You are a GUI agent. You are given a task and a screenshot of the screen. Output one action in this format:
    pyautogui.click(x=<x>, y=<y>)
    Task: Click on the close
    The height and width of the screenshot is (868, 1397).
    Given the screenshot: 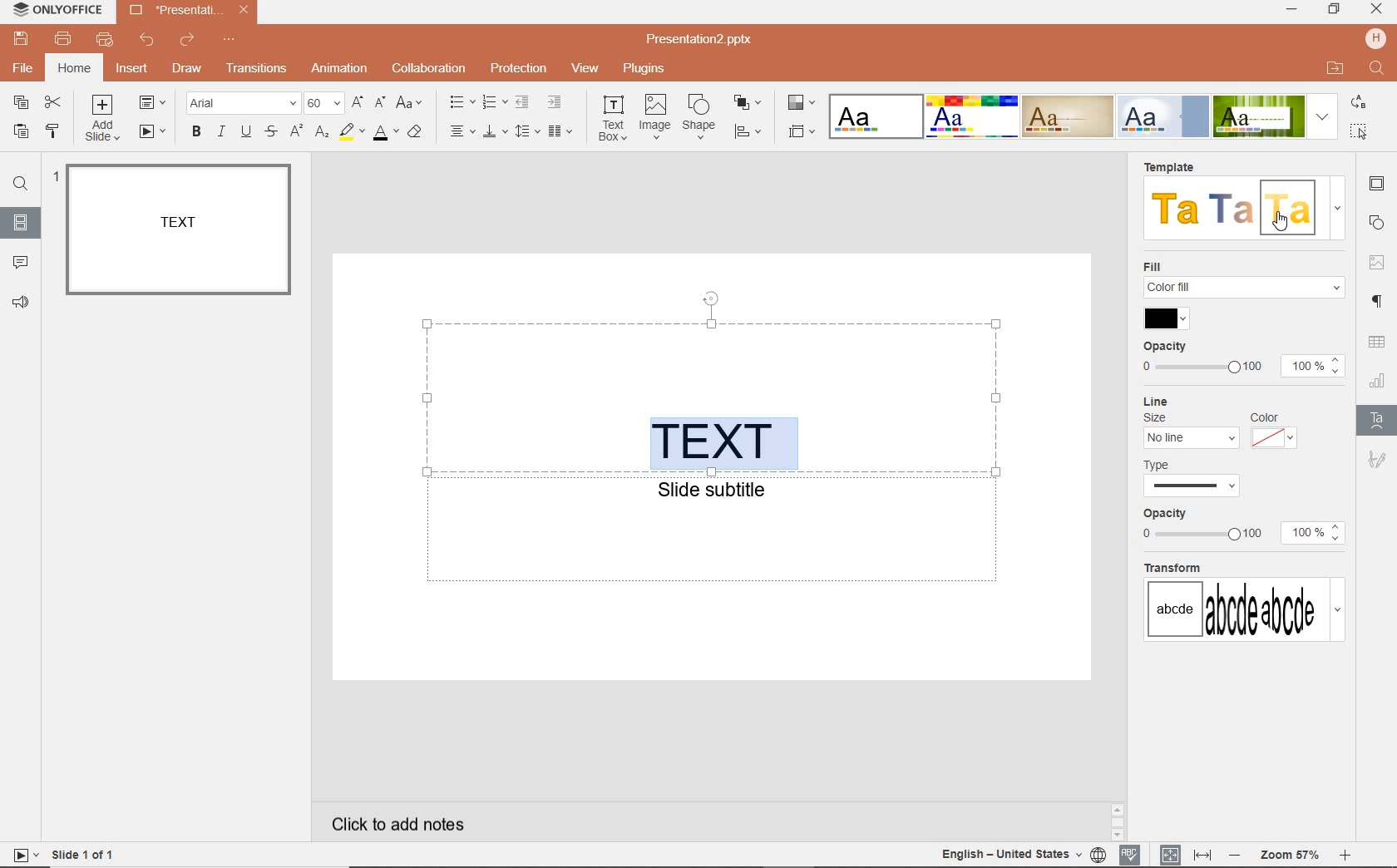 What is the action you would take?
    pyautogui.click(x=243, y=11)
    